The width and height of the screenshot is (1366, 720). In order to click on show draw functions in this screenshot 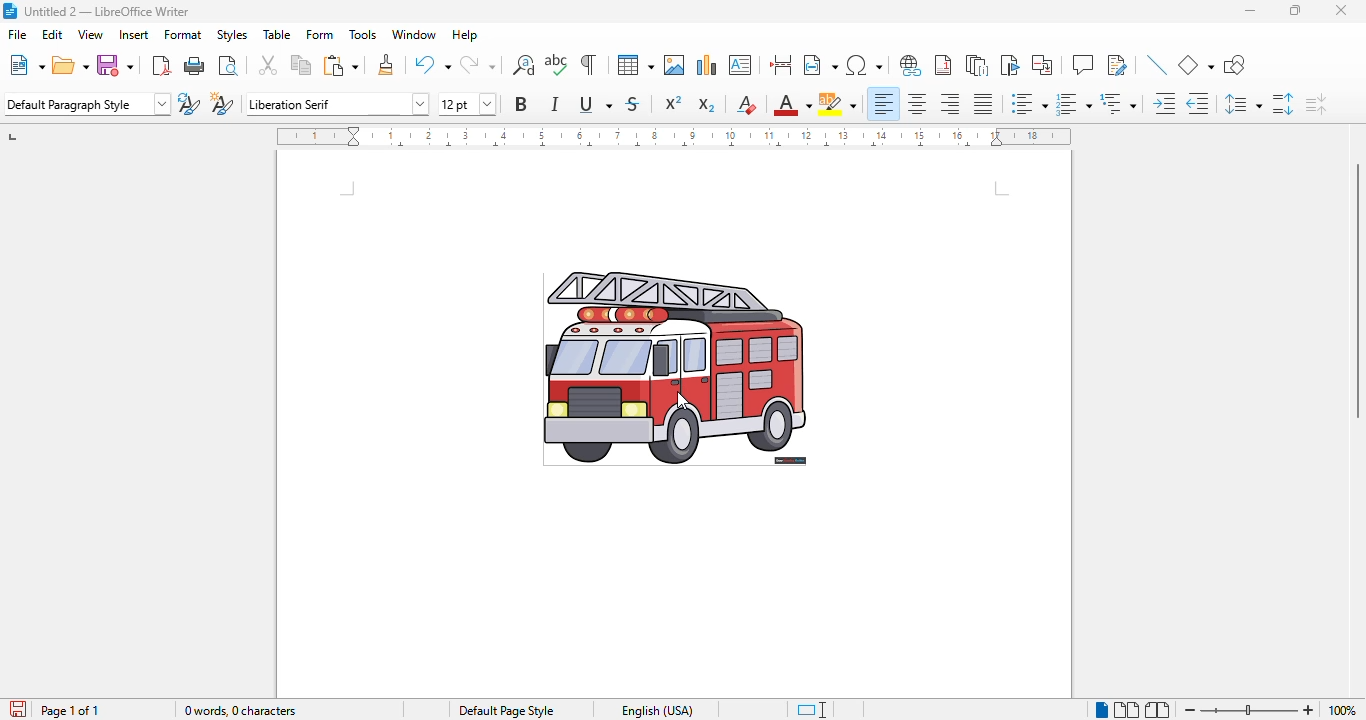, I will do `click(1235, 66)`.